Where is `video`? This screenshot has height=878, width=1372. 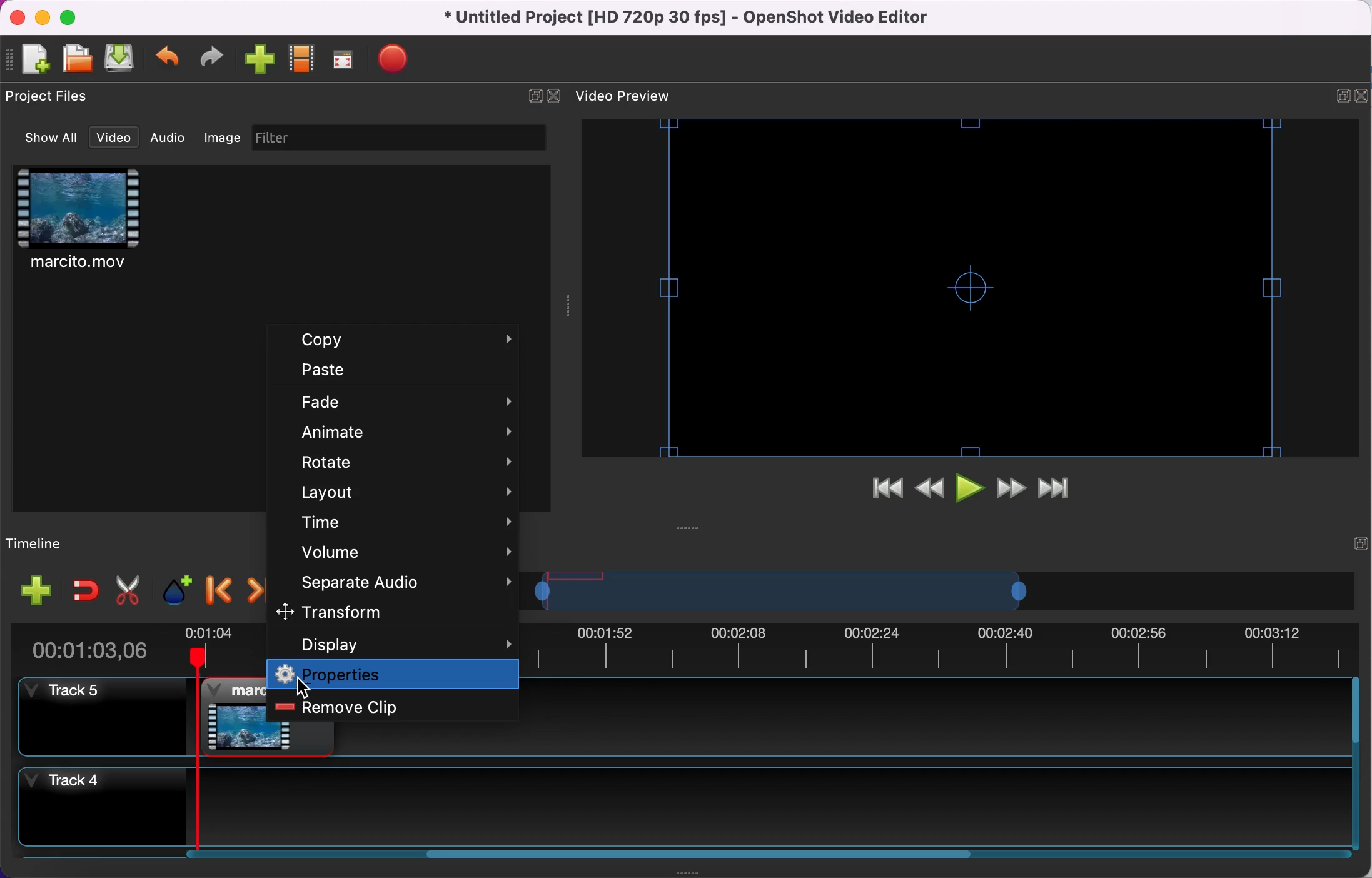 video is located at coordinates (114, 138).